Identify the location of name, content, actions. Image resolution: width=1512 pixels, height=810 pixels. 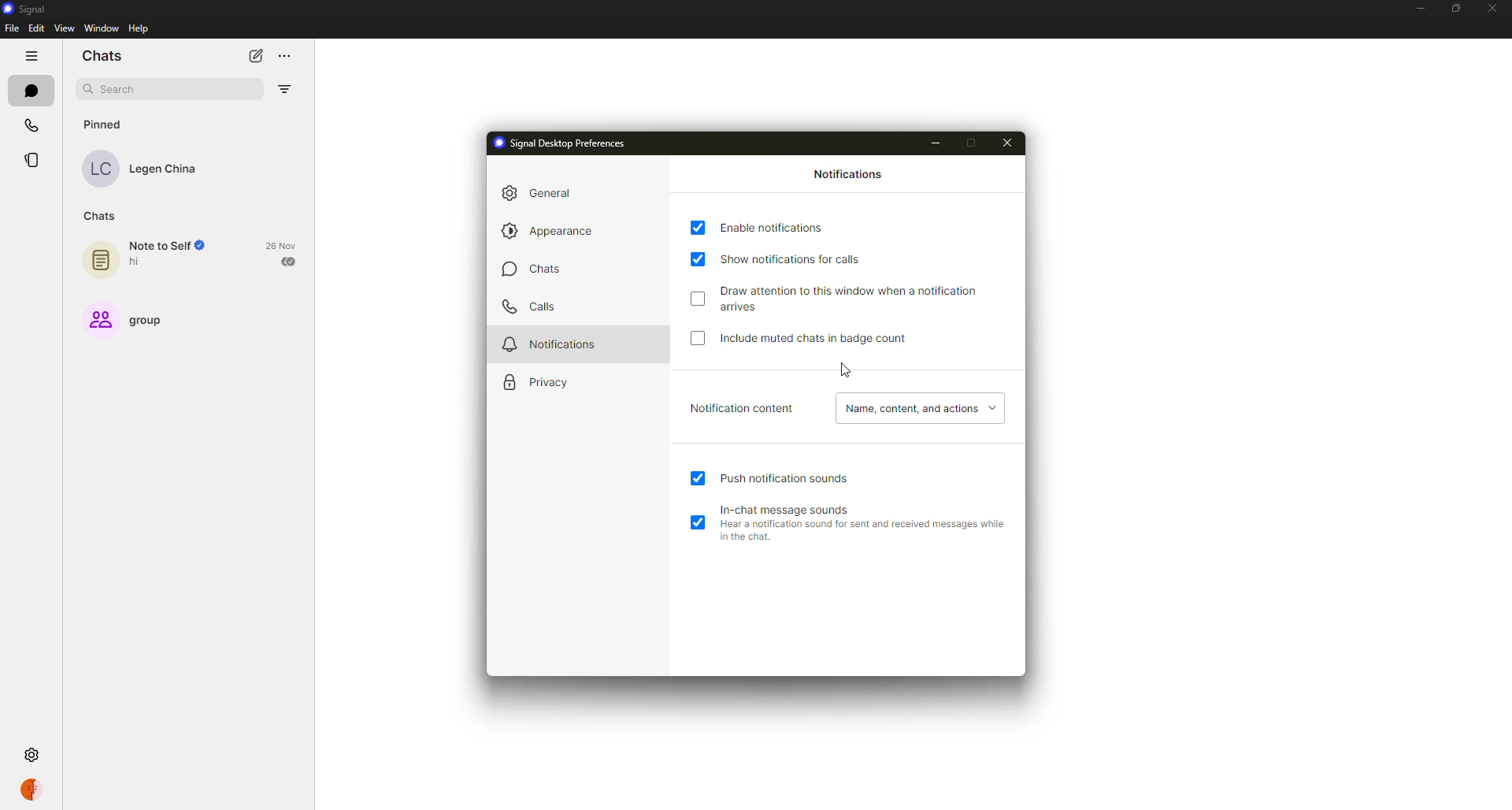
(917, 408).